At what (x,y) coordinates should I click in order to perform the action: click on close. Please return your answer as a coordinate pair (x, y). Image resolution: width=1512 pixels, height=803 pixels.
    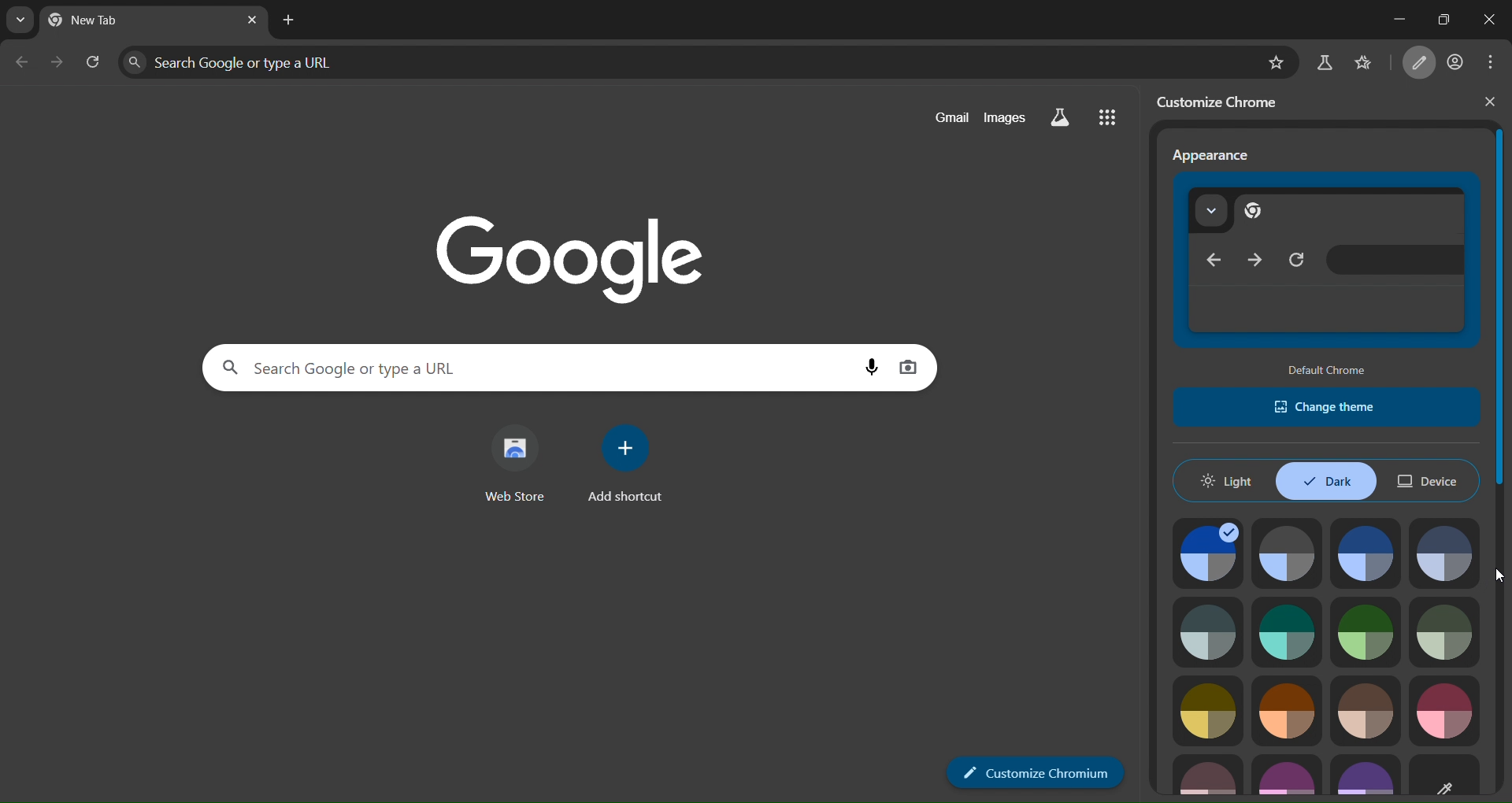
    Looking at the image, I should click on (1490, 20).